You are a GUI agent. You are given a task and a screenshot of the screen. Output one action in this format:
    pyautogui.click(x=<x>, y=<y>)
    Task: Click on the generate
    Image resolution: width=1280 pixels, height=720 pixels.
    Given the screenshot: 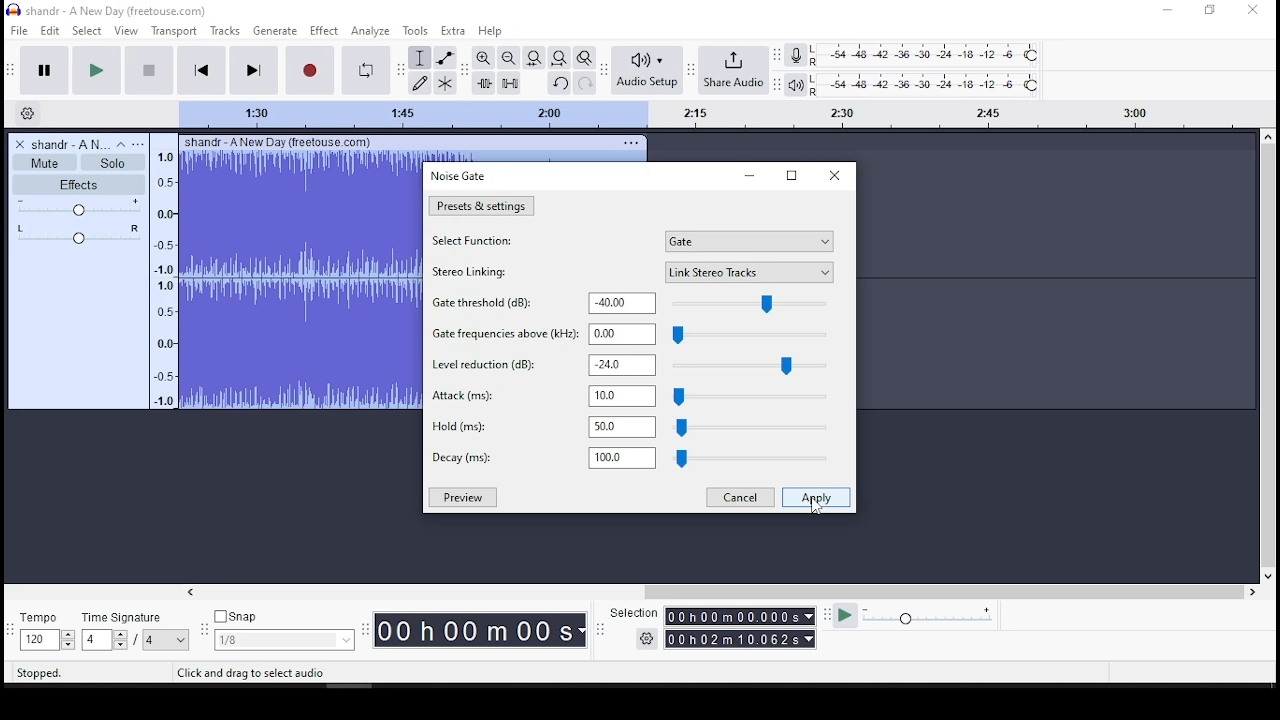 What is the action you would take?
    pyautogui.click(x=275, y=31)
    